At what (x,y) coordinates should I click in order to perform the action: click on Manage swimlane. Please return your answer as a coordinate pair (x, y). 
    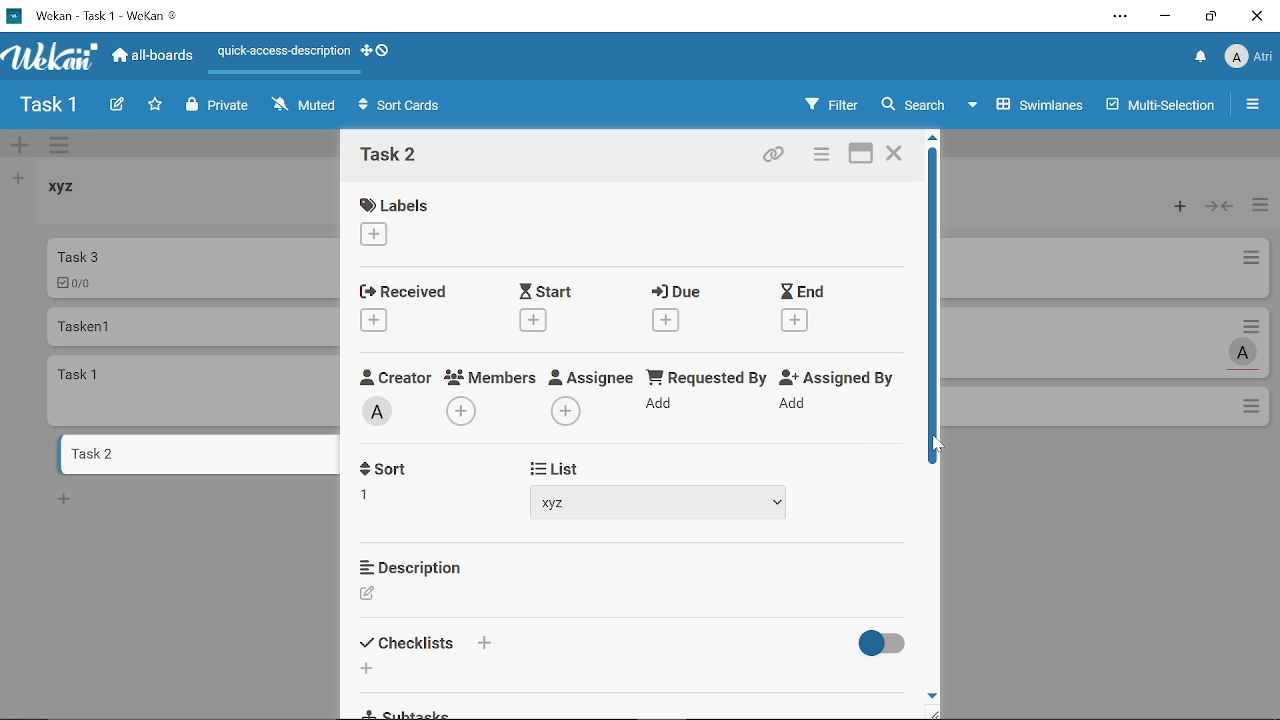
    Looking at the image, I should click on (61, 147).